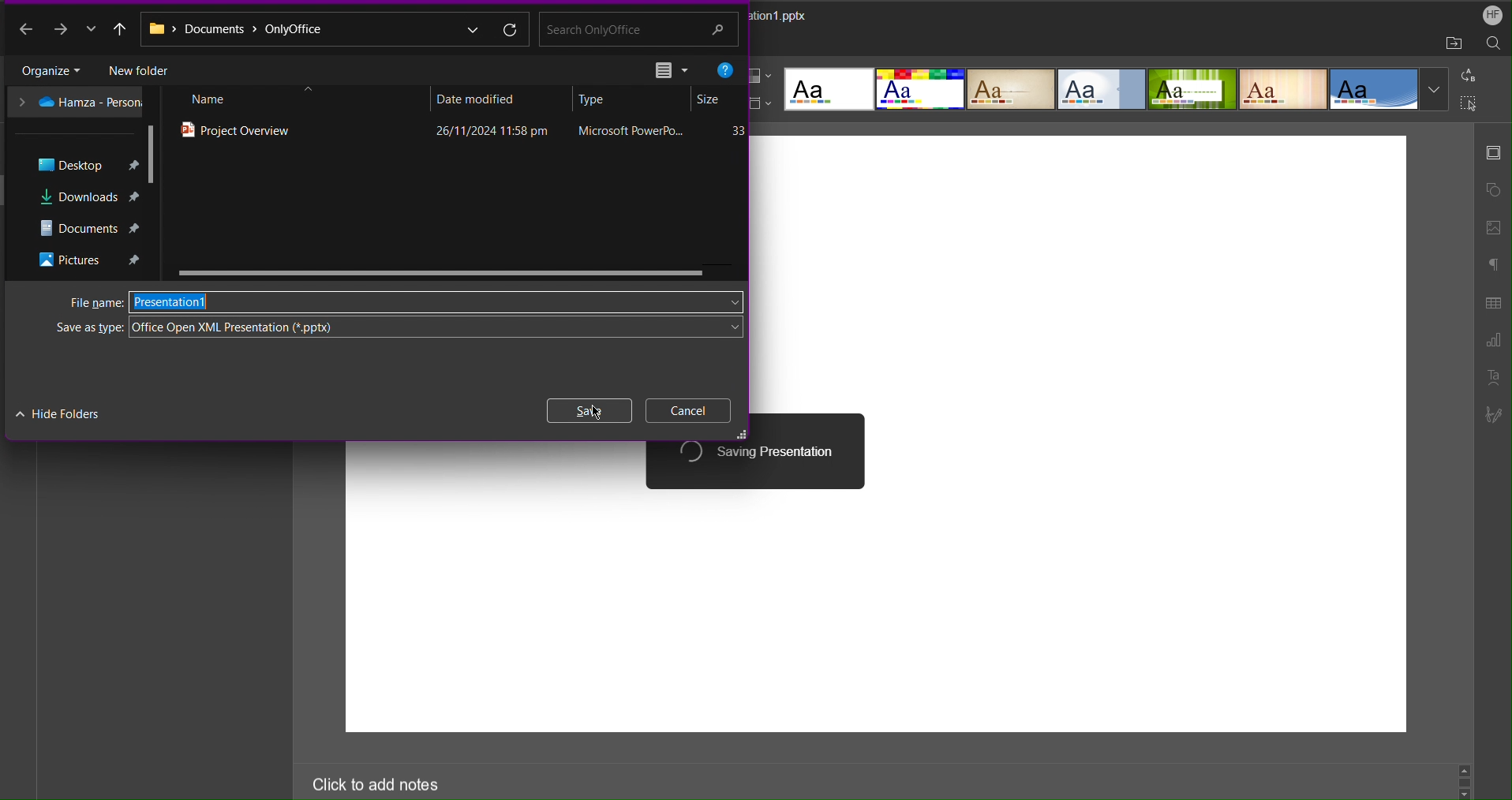  Describe the element at coordinates (1493, 379) in the screenshot. I see `Text Art` at that location.